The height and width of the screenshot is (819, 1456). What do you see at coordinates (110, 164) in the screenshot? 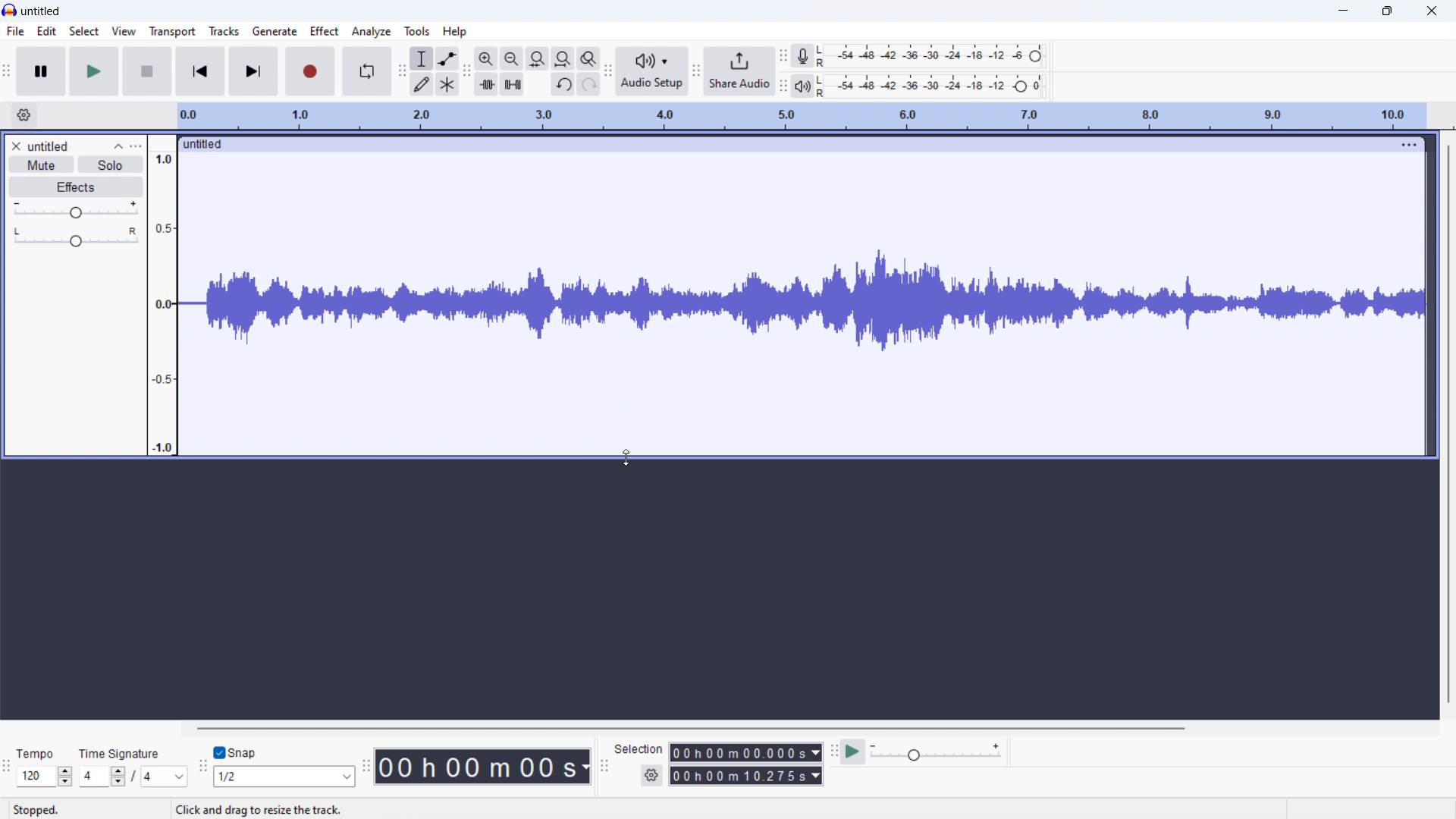
I see `solo` at bounding box center [110, 164].